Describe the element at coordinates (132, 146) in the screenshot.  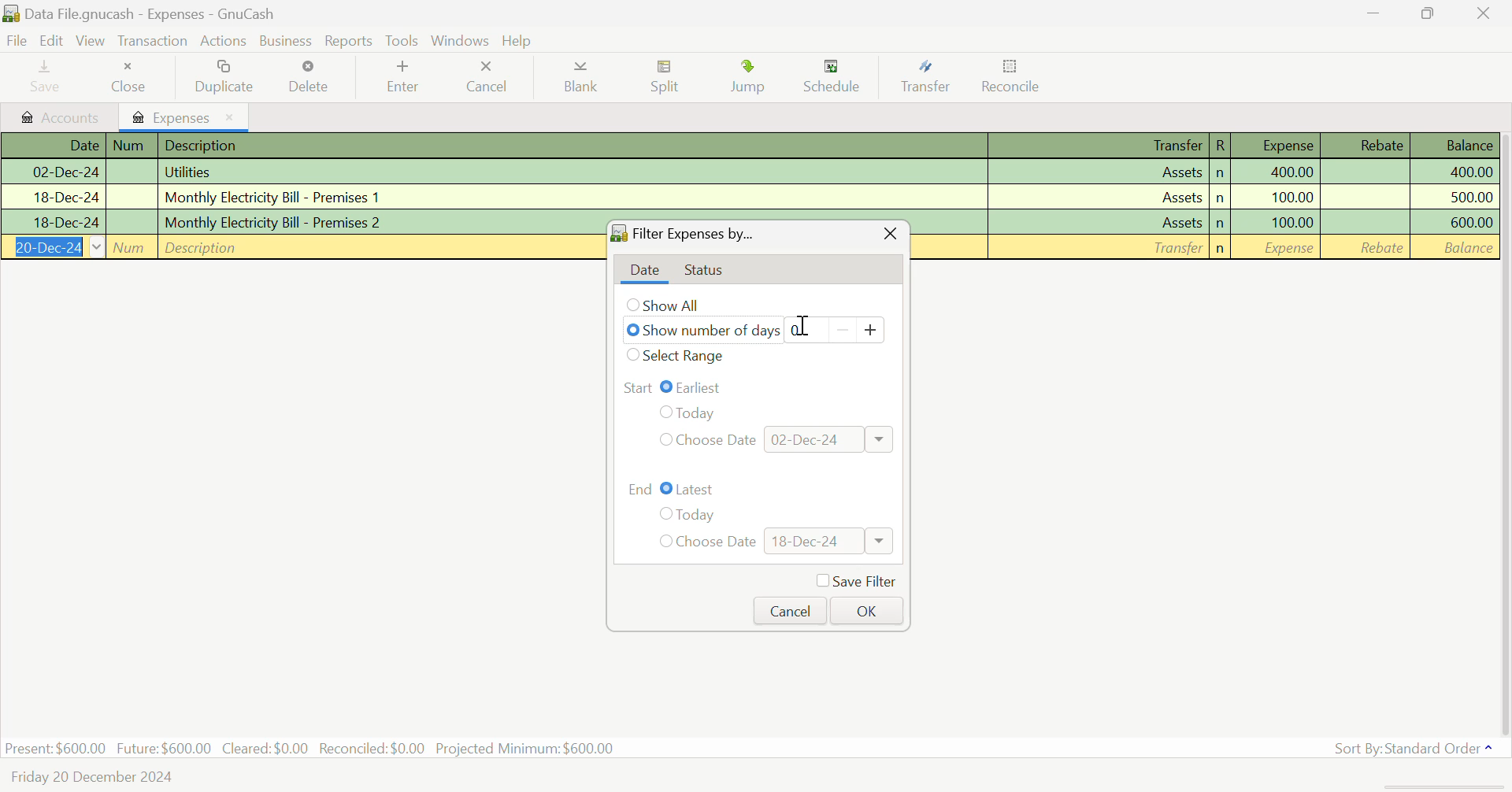
I see `Num` at that location.